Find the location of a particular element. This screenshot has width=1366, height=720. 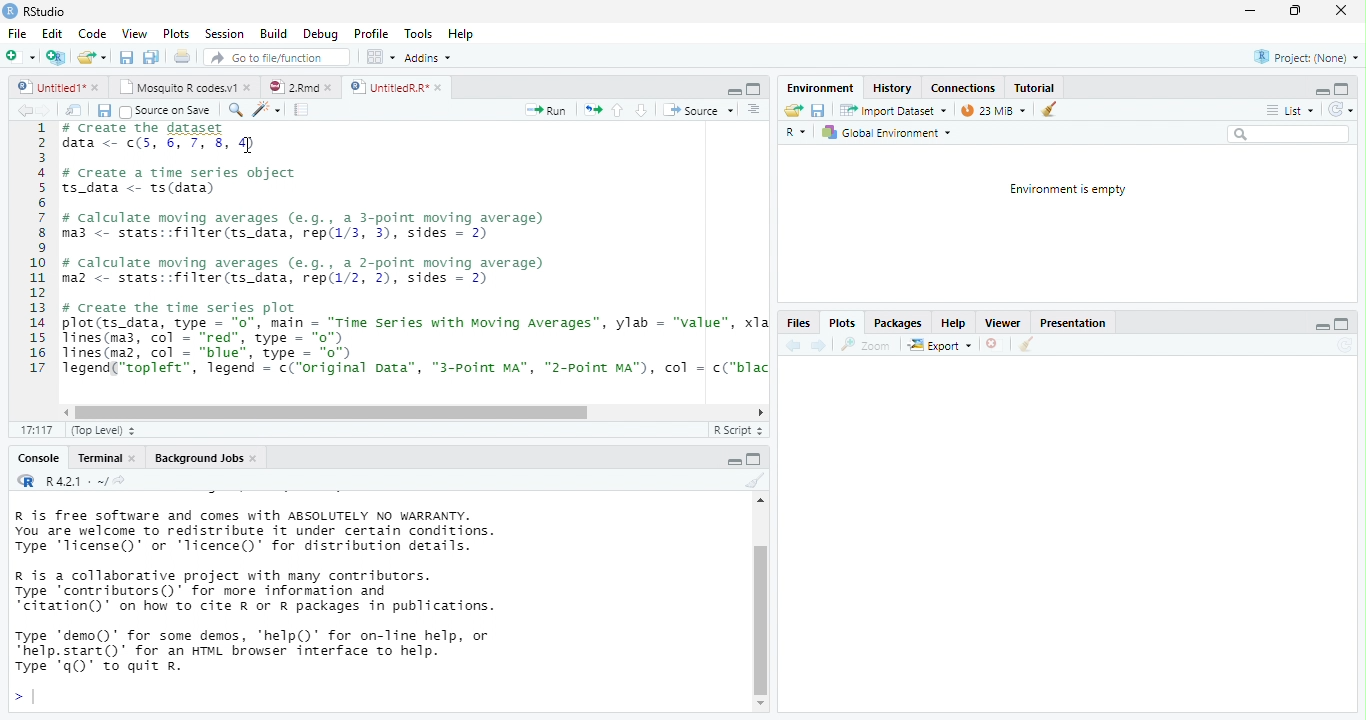

minimize is located at coordinates (1323, 329).